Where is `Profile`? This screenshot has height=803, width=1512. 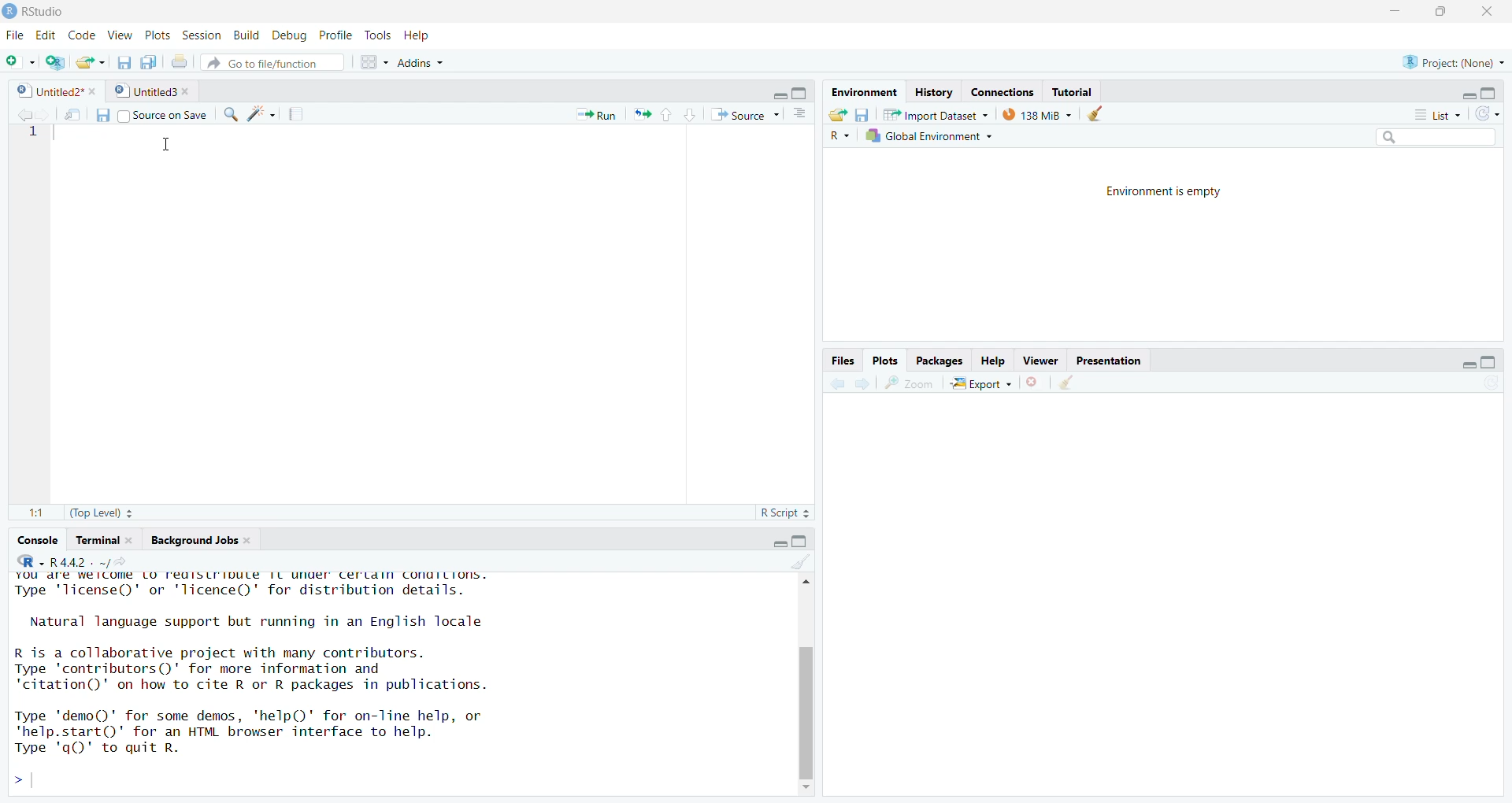
Profile is located at coordinates (336, 35).